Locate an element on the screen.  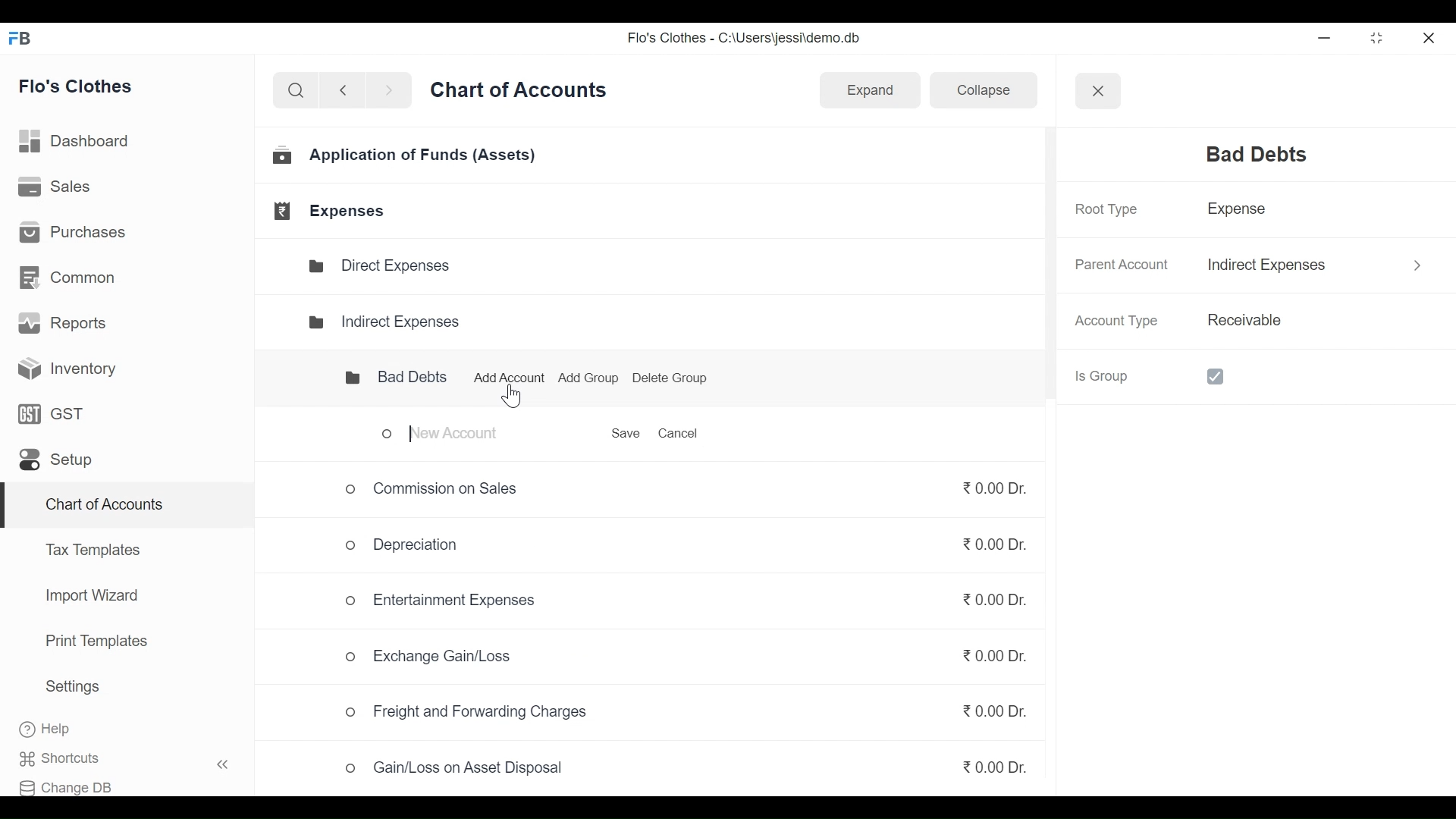
More options is located at coordinates (1410, 262).